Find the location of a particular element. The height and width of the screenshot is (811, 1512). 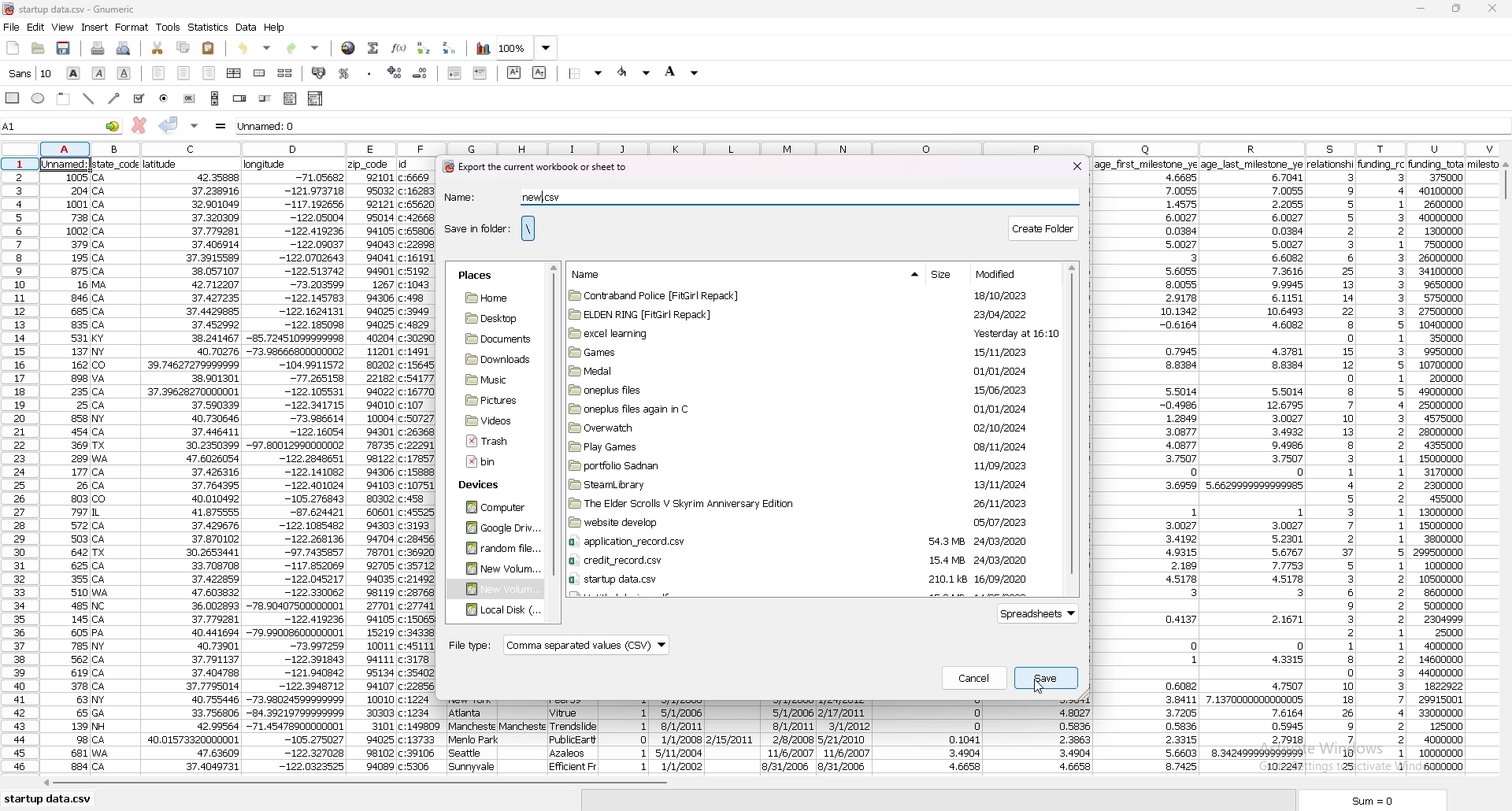

slider is located at coordinates (265, 99).